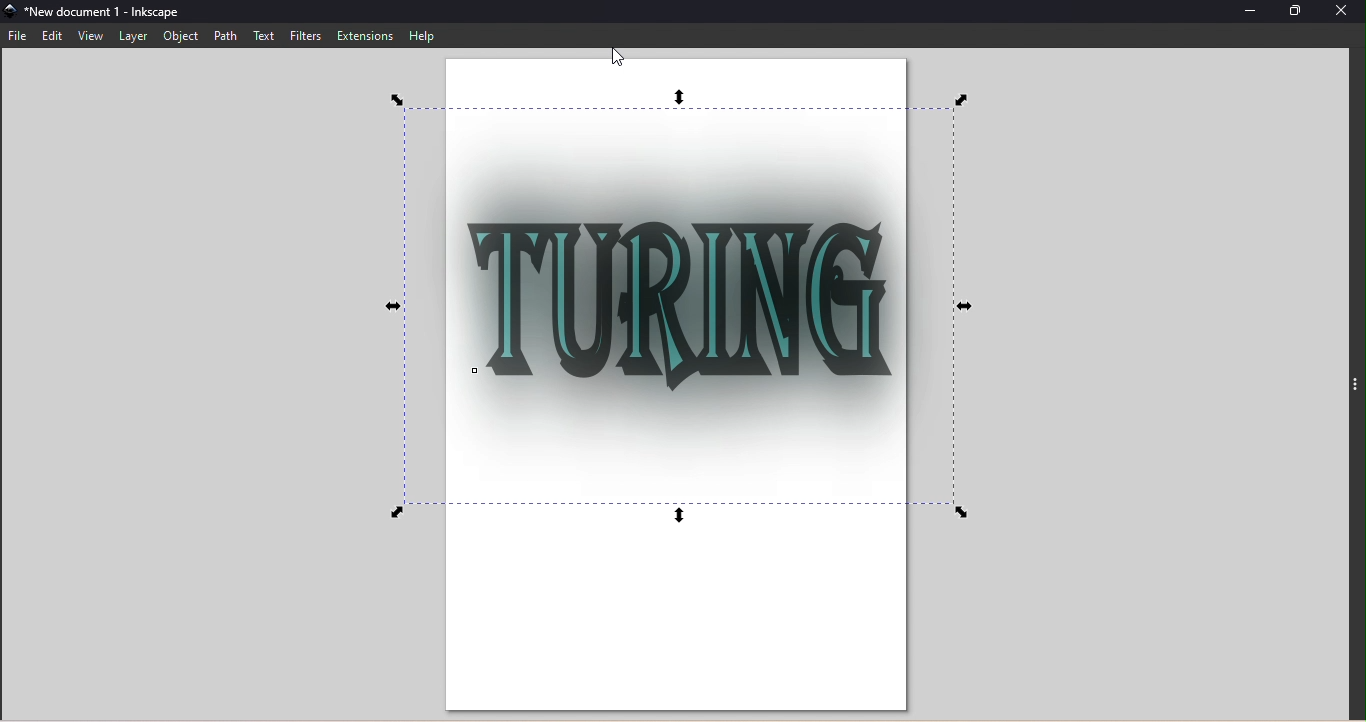 The image size is (1366, 722). Describe the element at coordinates (1253, 13) in the screenshot. I see `Minimize` at that location.